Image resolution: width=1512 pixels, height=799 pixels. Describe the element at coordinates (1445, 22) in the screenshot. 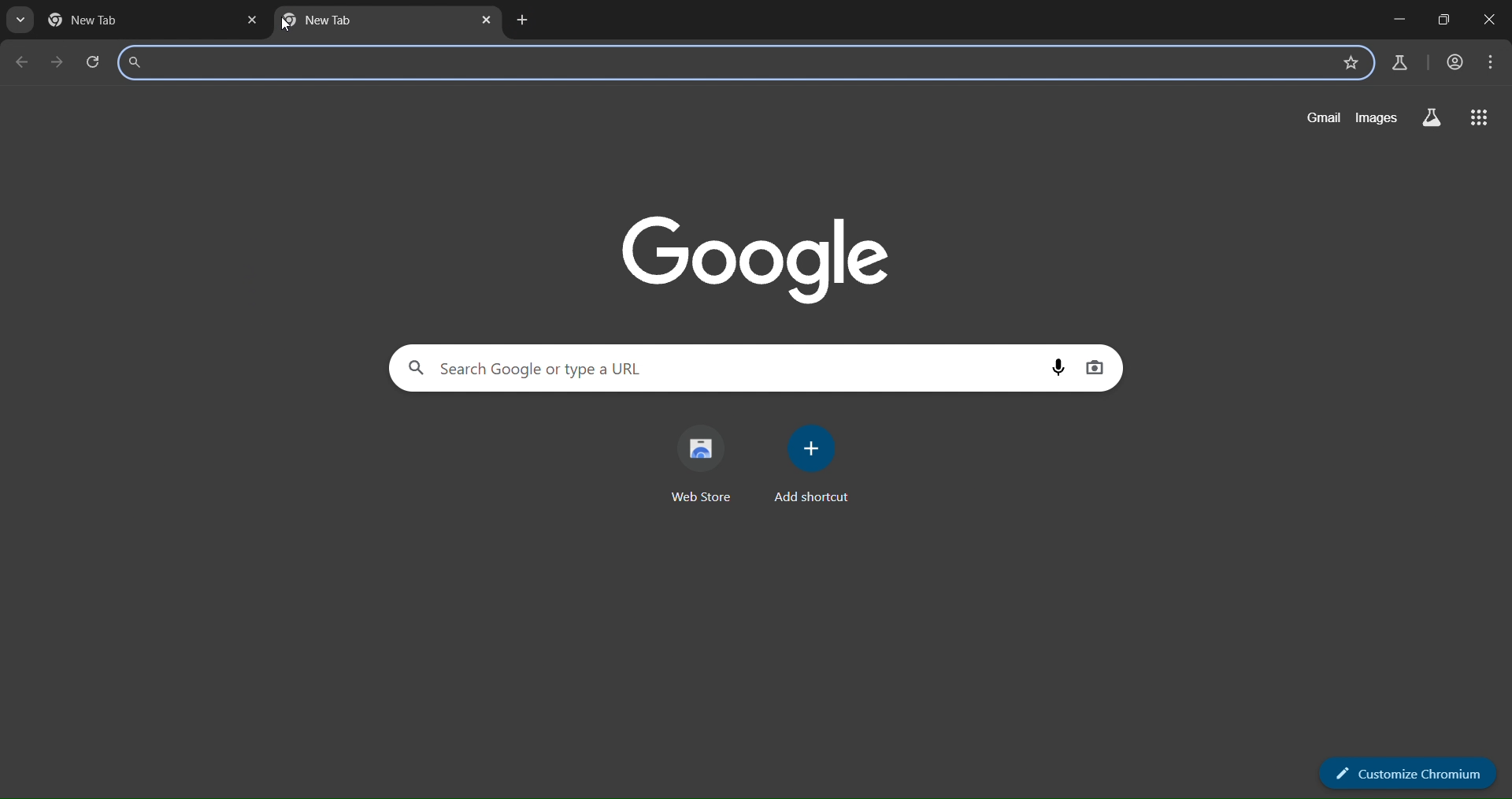

I see `restore` at that location.